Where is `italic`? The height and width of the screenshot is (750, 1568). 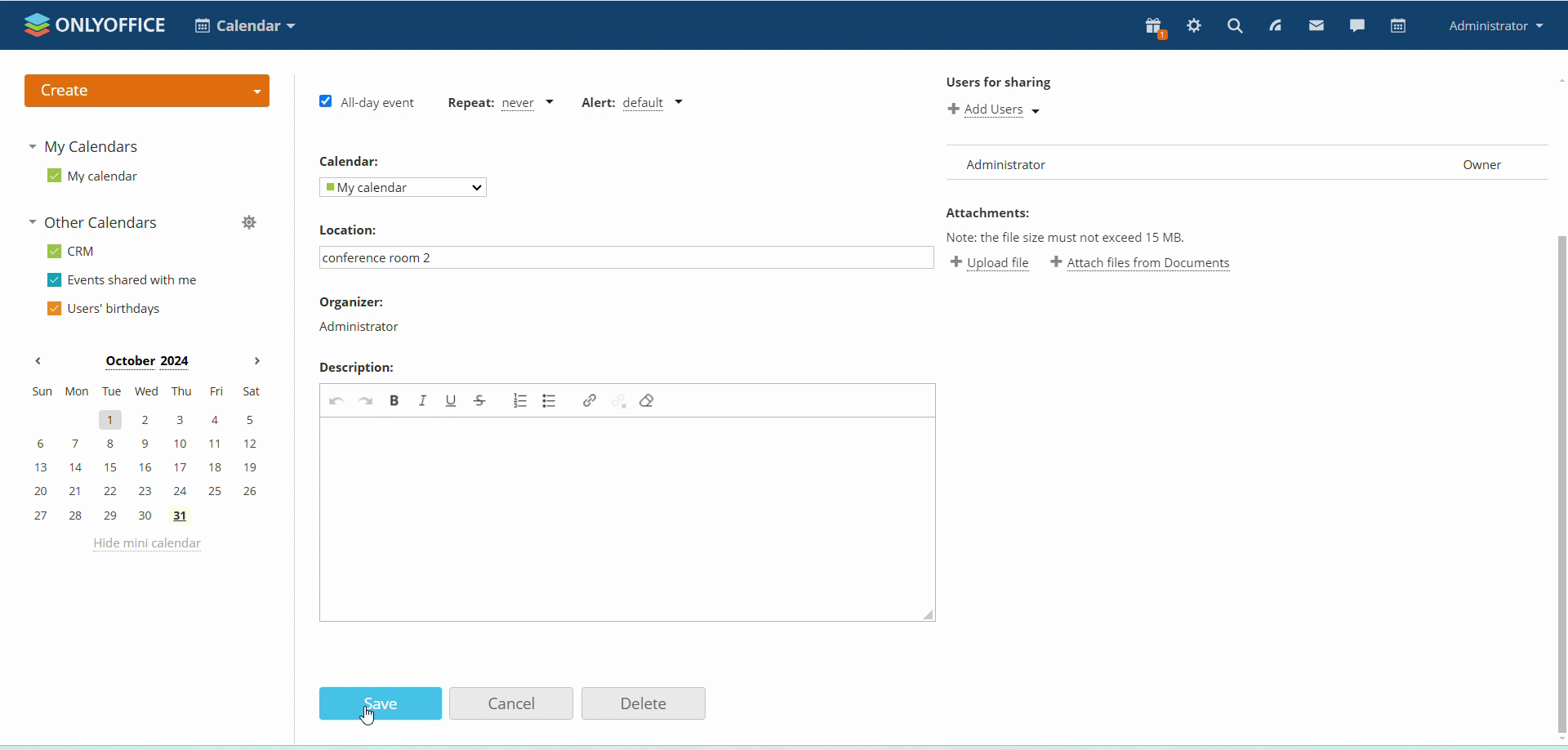
italic is located at coordinates (423, 400).